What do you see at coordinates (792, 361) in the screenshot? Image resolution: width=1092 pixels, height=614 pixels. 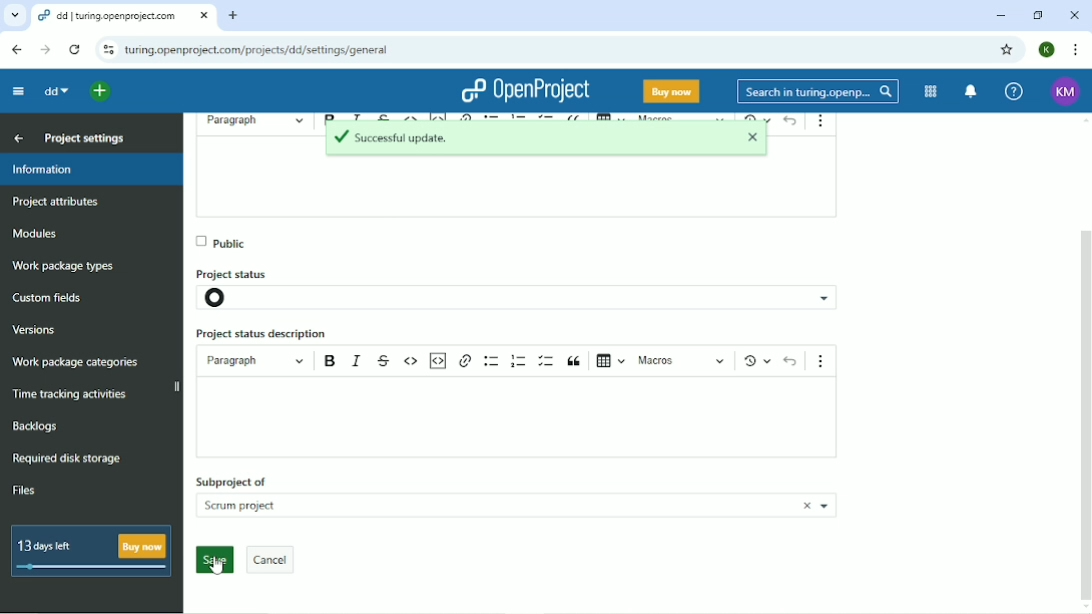 I see `undo` at bounding box center [792, 361].